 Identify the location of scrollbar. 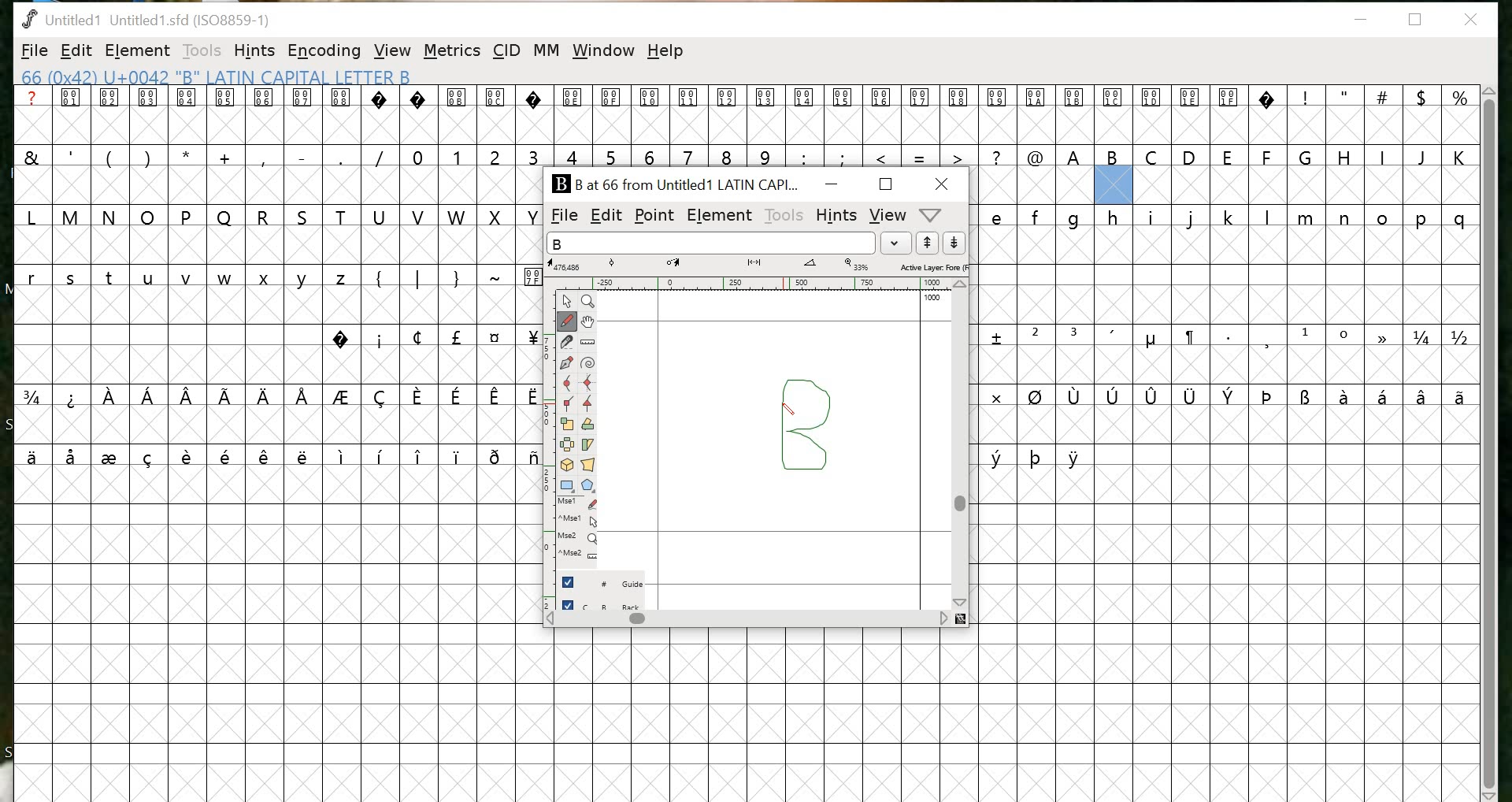
(962, 445).